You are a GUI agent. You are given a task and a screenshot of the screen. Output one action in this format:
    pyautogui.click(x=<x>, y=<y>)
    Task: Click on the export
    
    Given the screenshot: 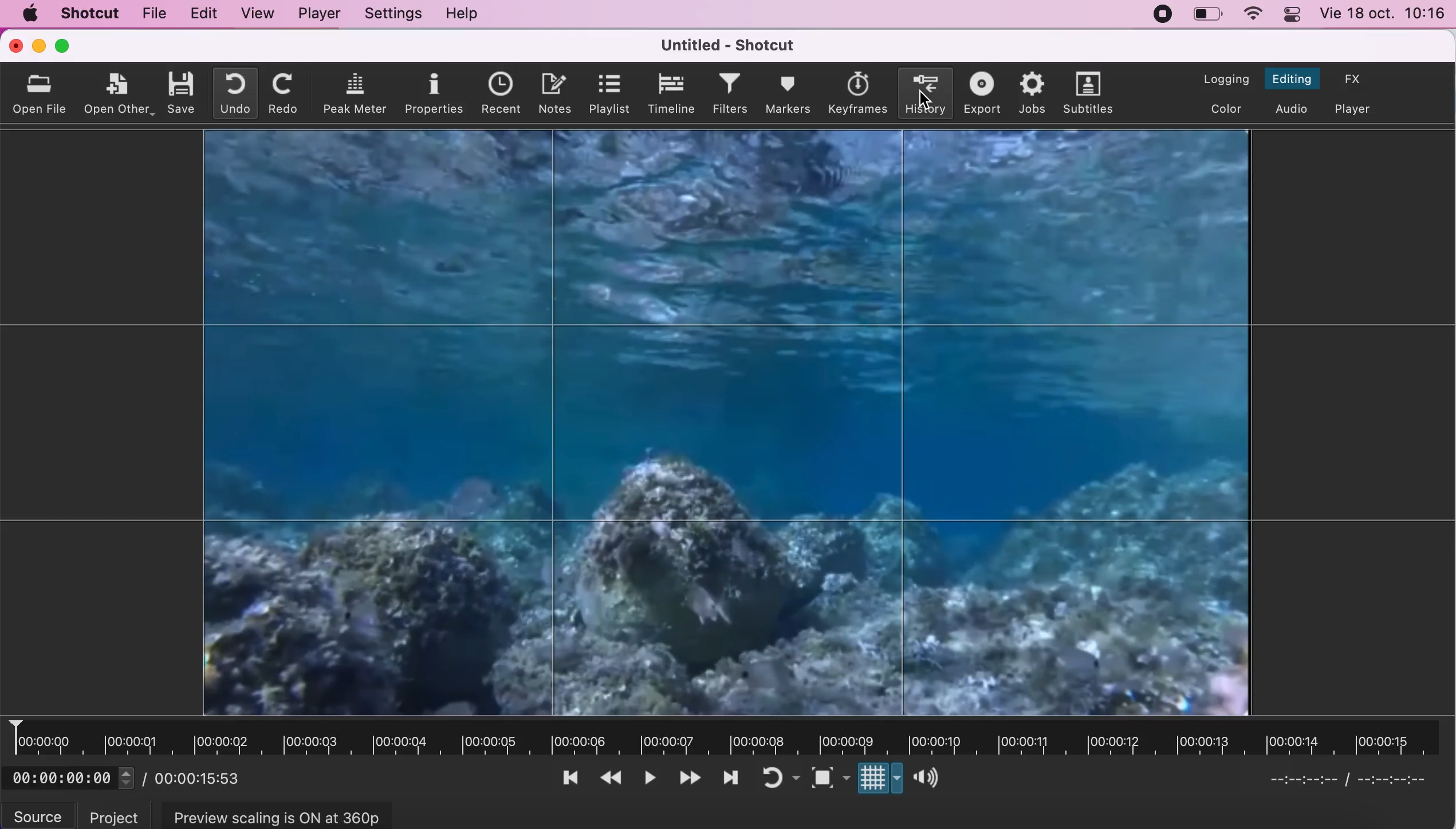 What is the action you would take?
    pyautogui.click(x=980, y=93)
    